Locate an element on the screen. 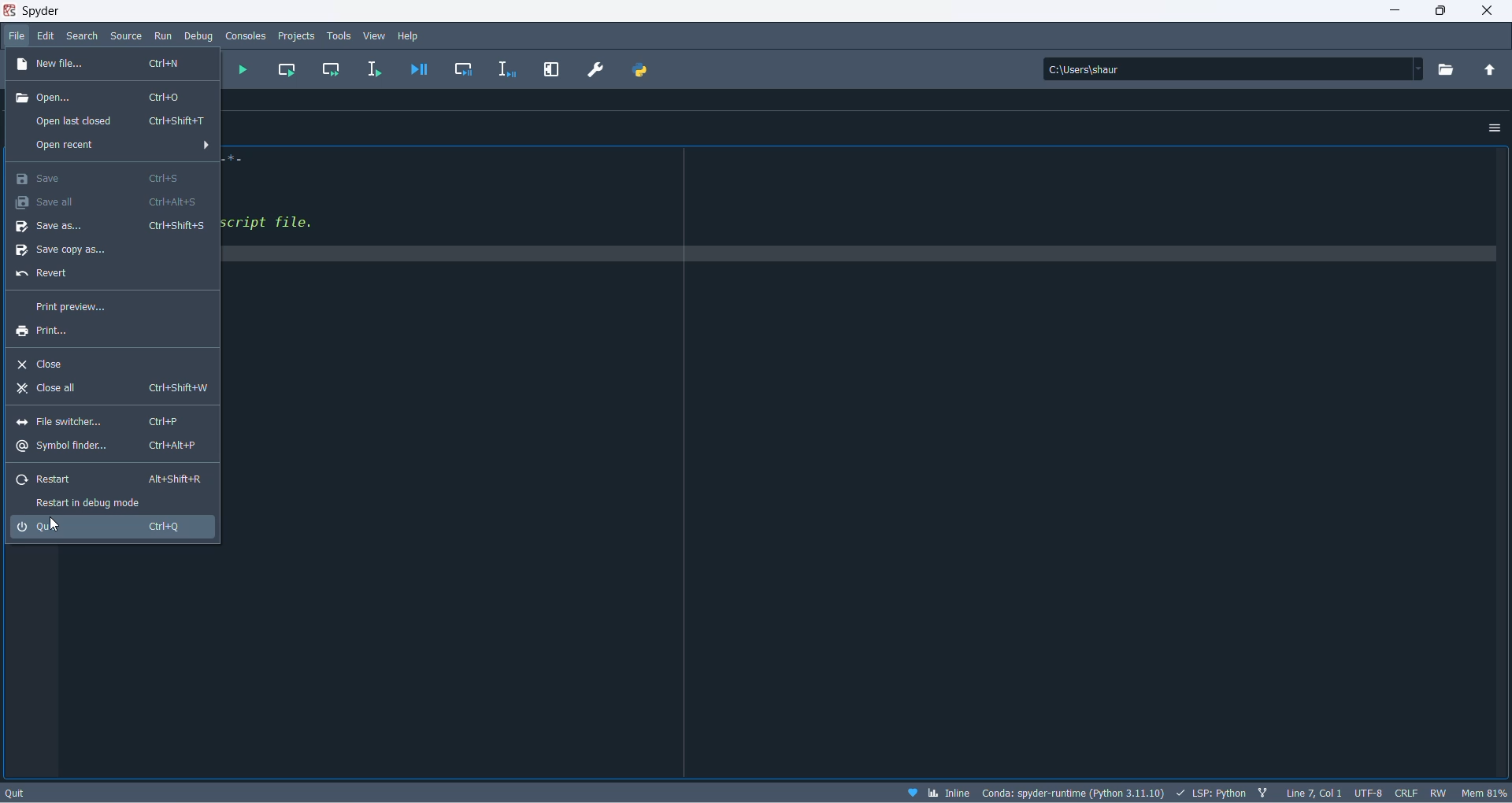 The height and width of the screenshot is (803, 1512). path is located at coordinates (1228, 69).